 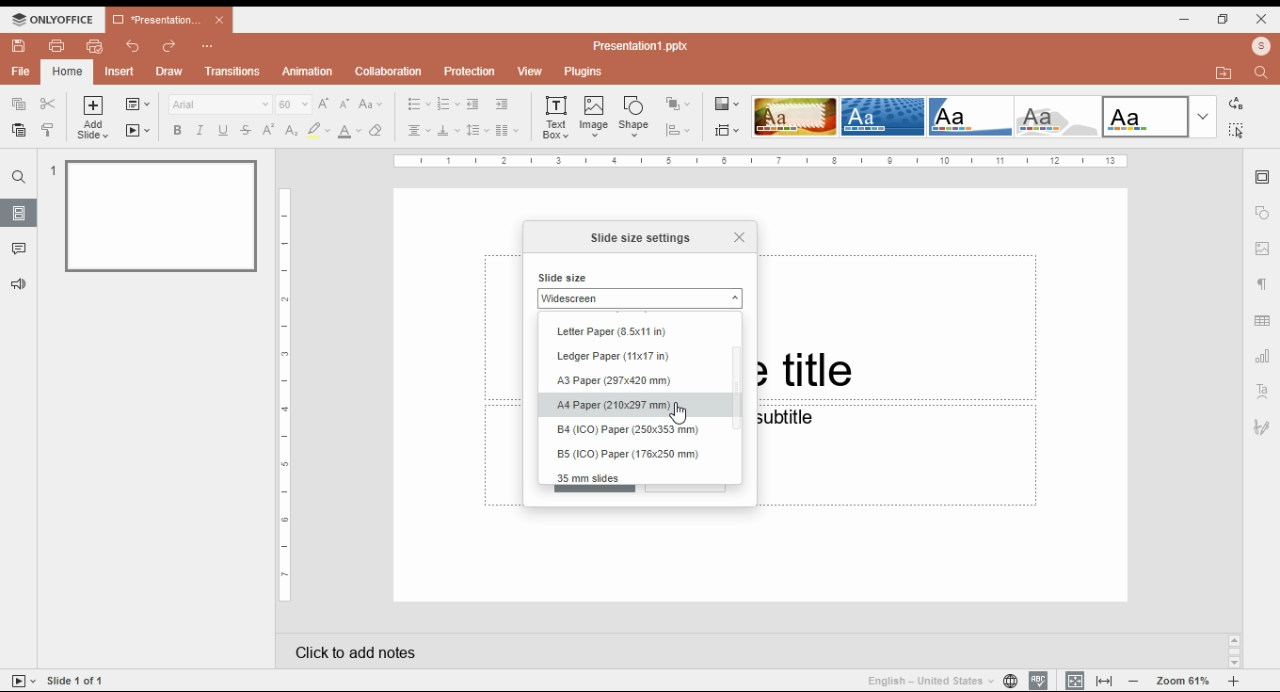 I want to click on decrease indent, so click(x=472, y=105).